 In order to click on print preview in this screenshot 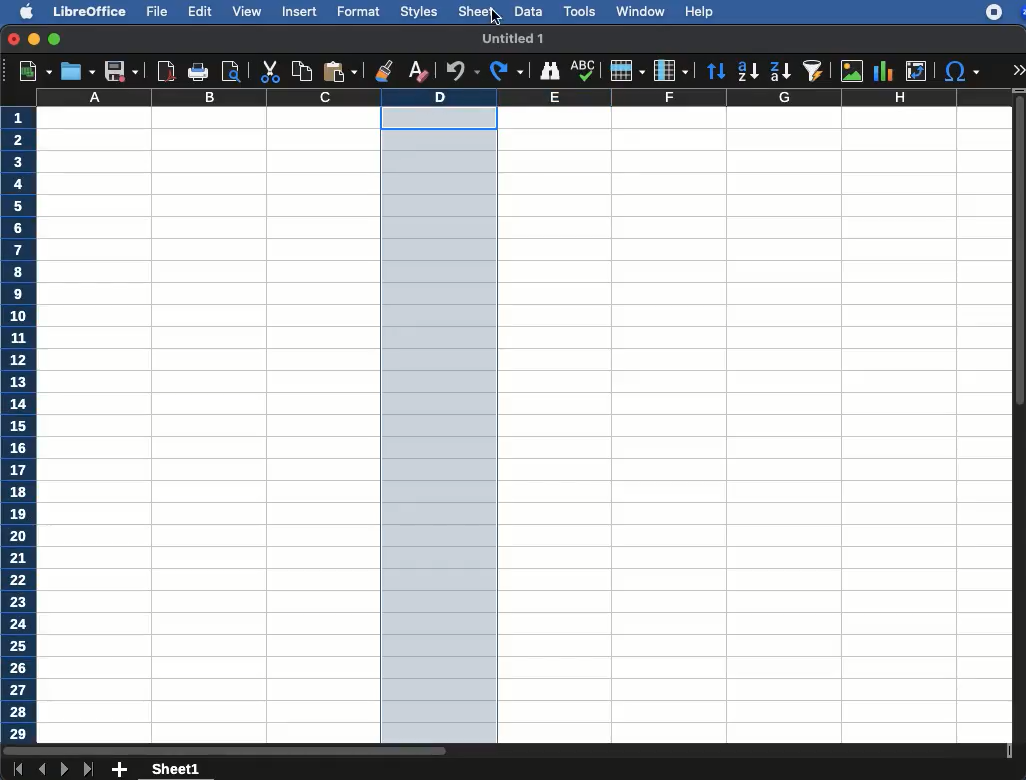, I will do `click(233, 71)`.